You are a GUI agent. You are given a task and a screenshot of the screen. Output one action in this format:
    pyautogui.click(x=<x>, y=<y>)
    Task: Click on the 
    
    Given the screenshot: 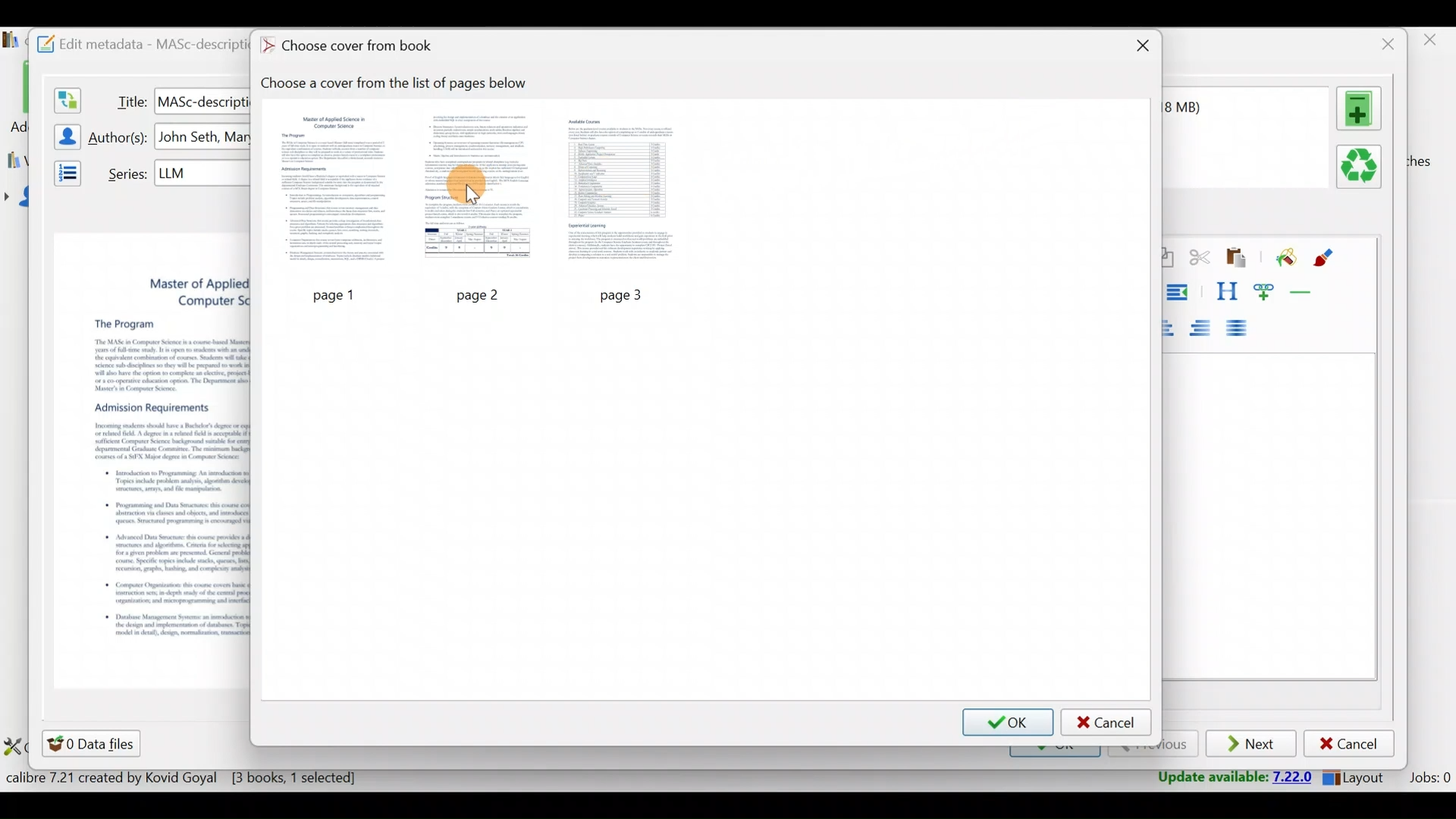 What is the action you would take?
    pyautogui.click(x=482, y=294)
    